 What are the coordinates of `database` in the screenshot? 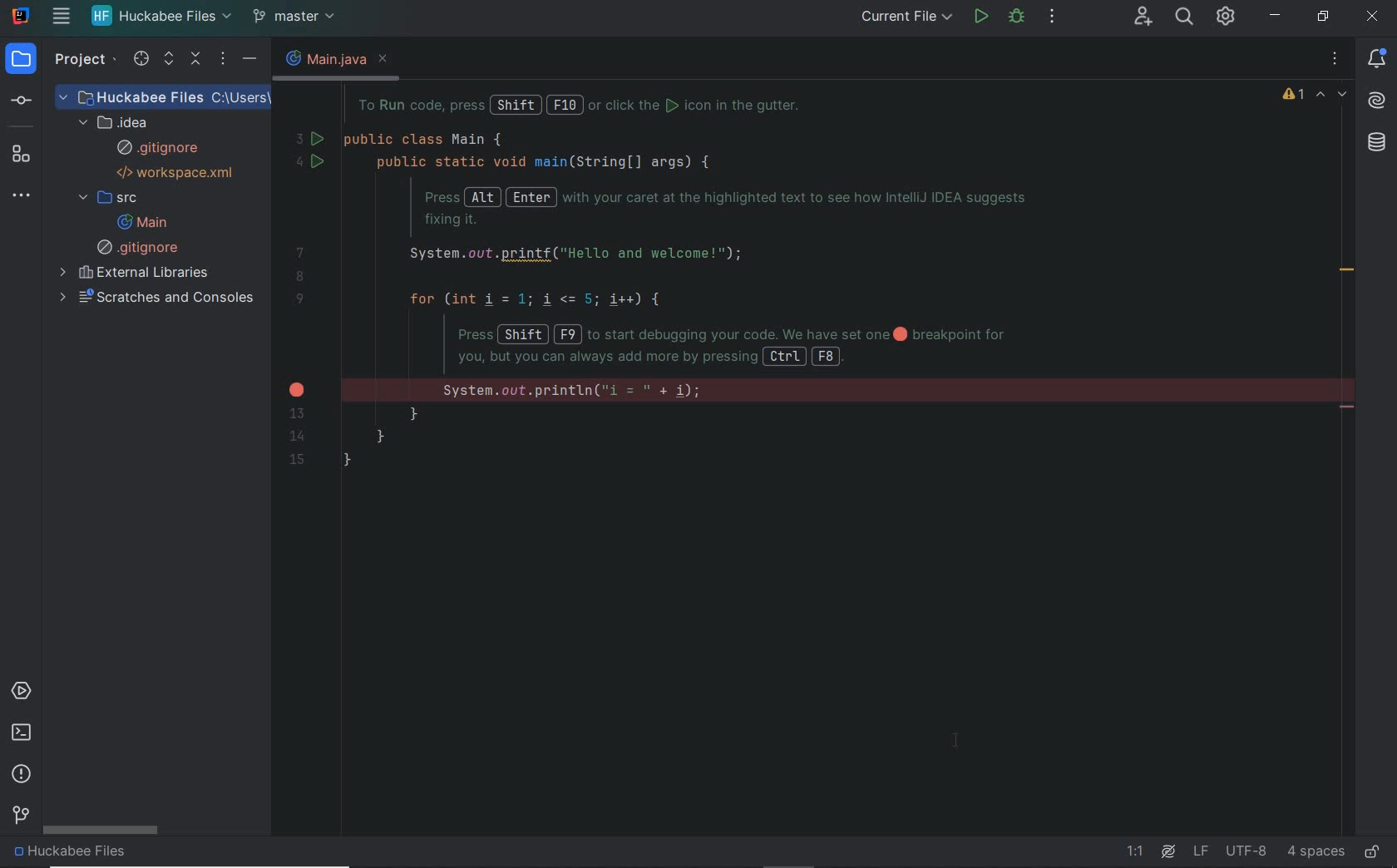 It's located at (1378, 144).